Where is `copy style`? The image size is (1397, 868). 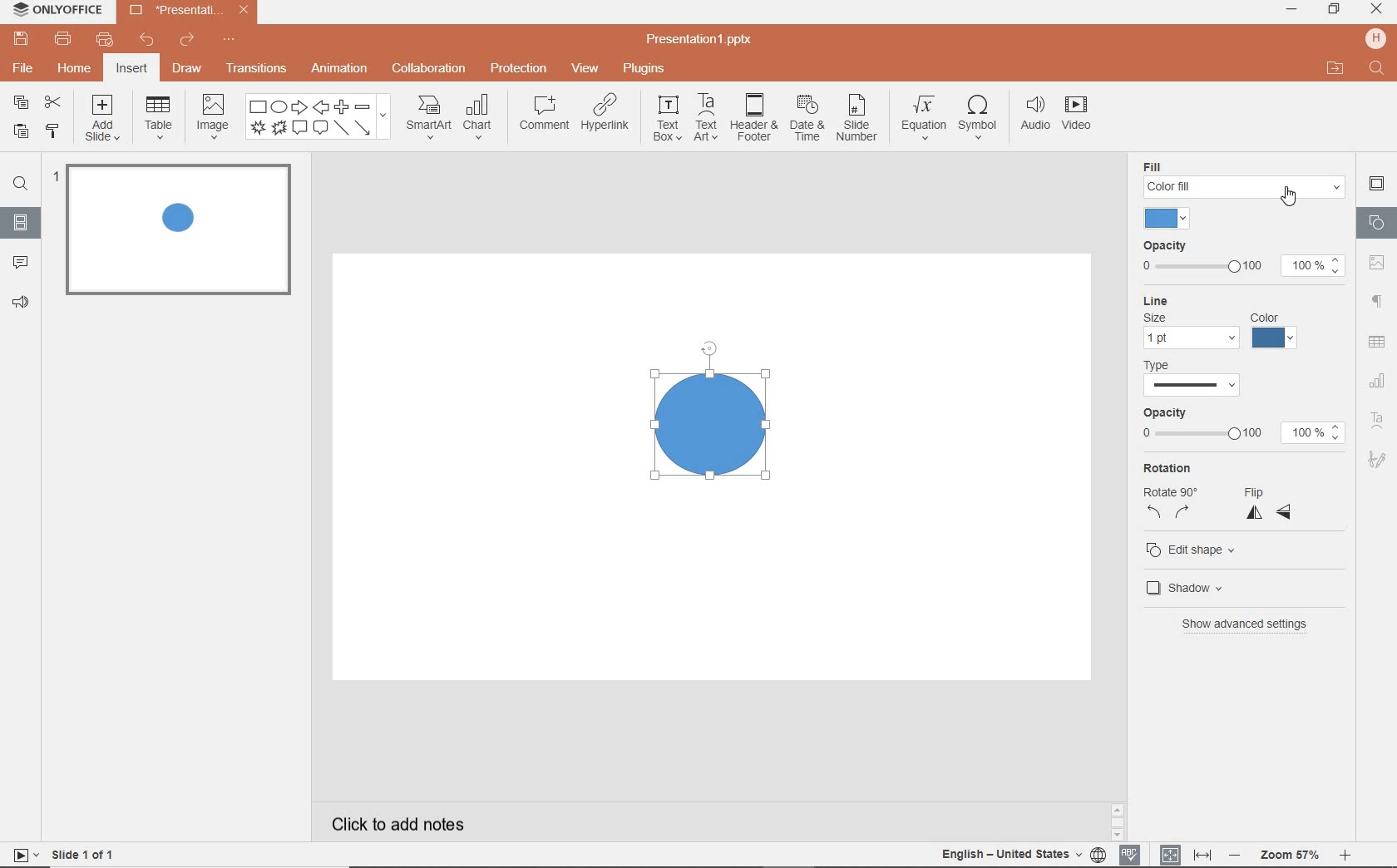 copy style is located at coordinates (52, 133).